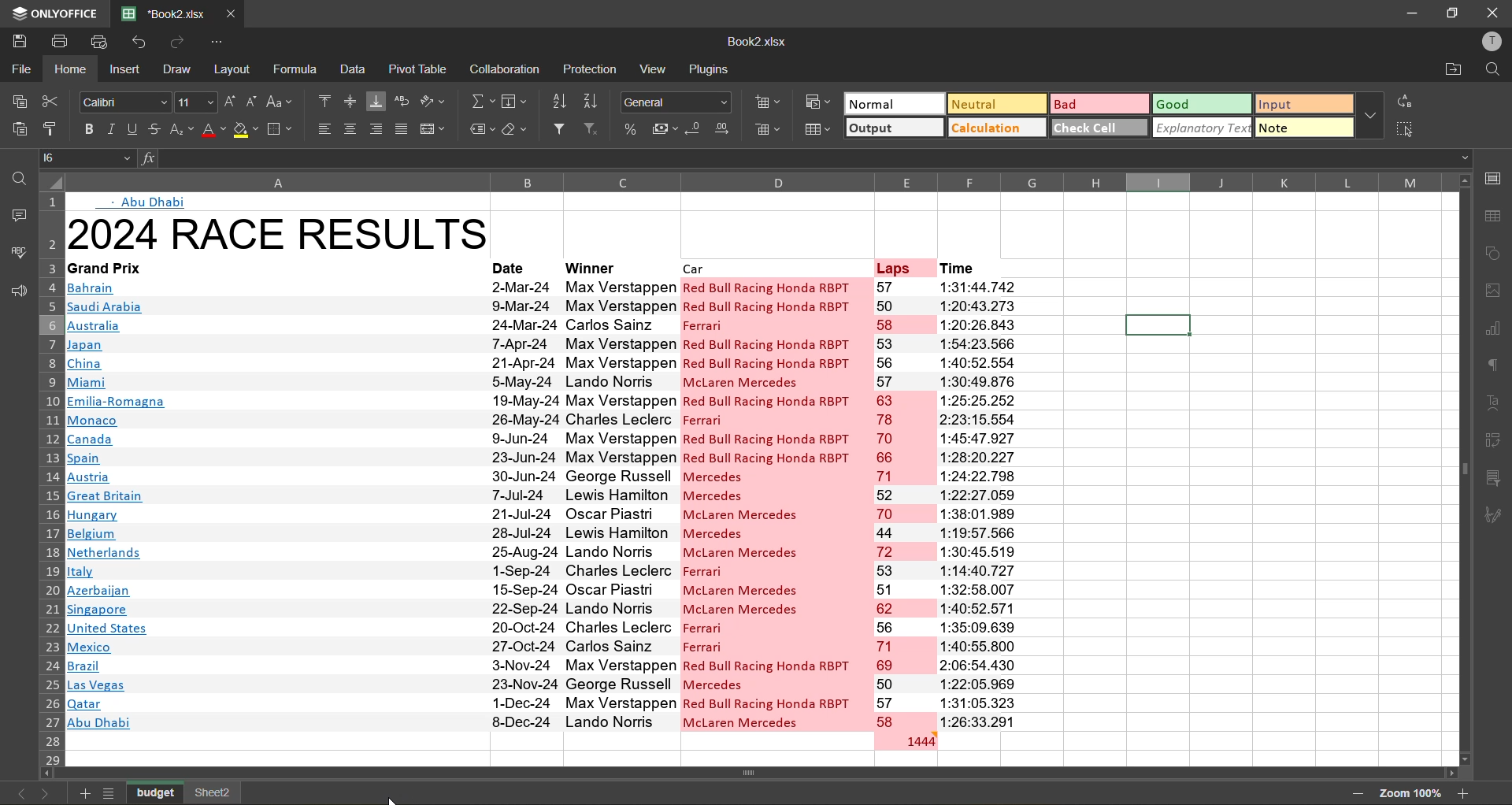 The image size is (1512, 805). Describe the element at coordinates (677, 101) in the screenshot. I see `number format` at that location.